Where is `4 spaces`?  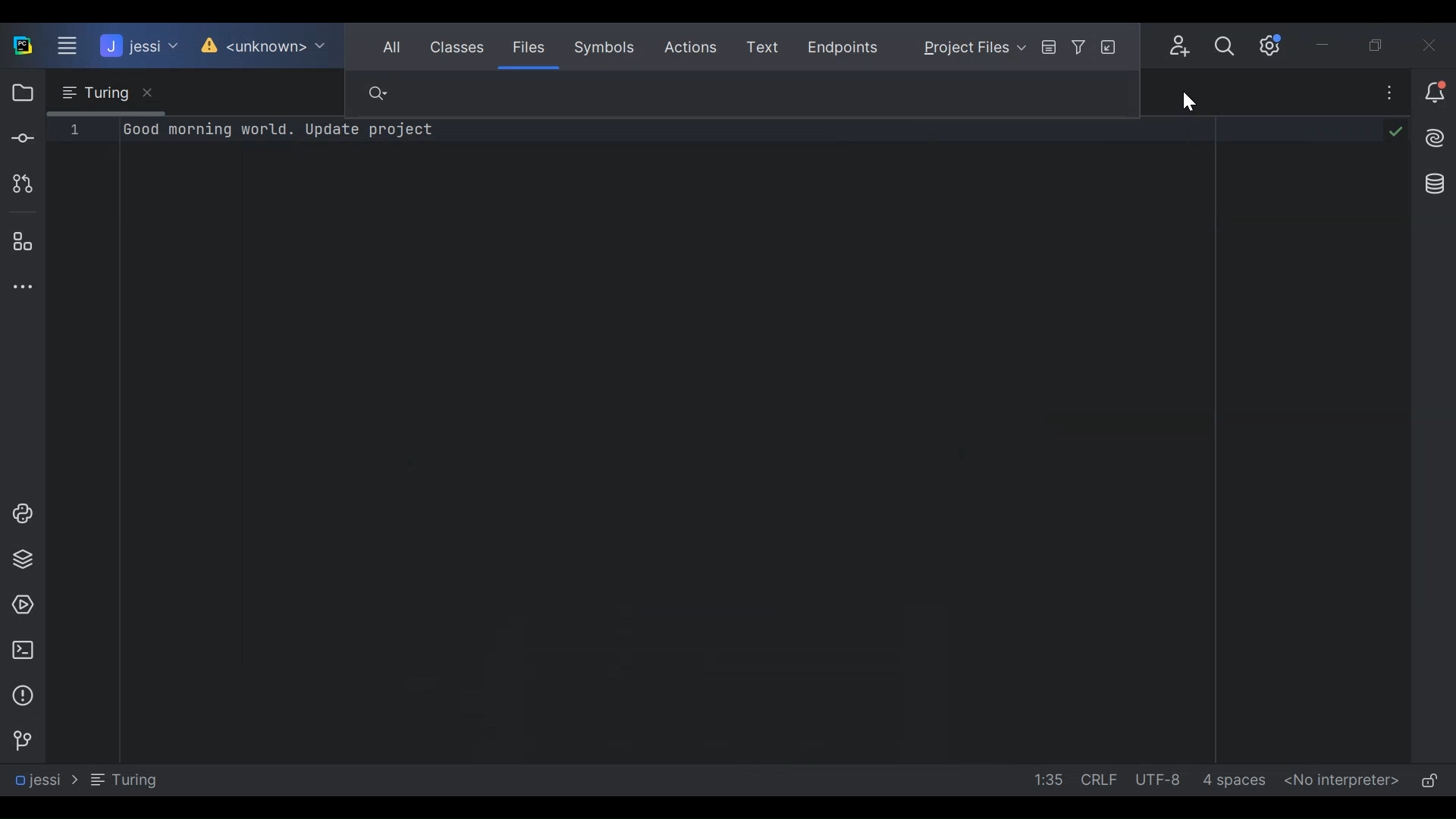 4 spaces is located at coordinates (1238, 780).